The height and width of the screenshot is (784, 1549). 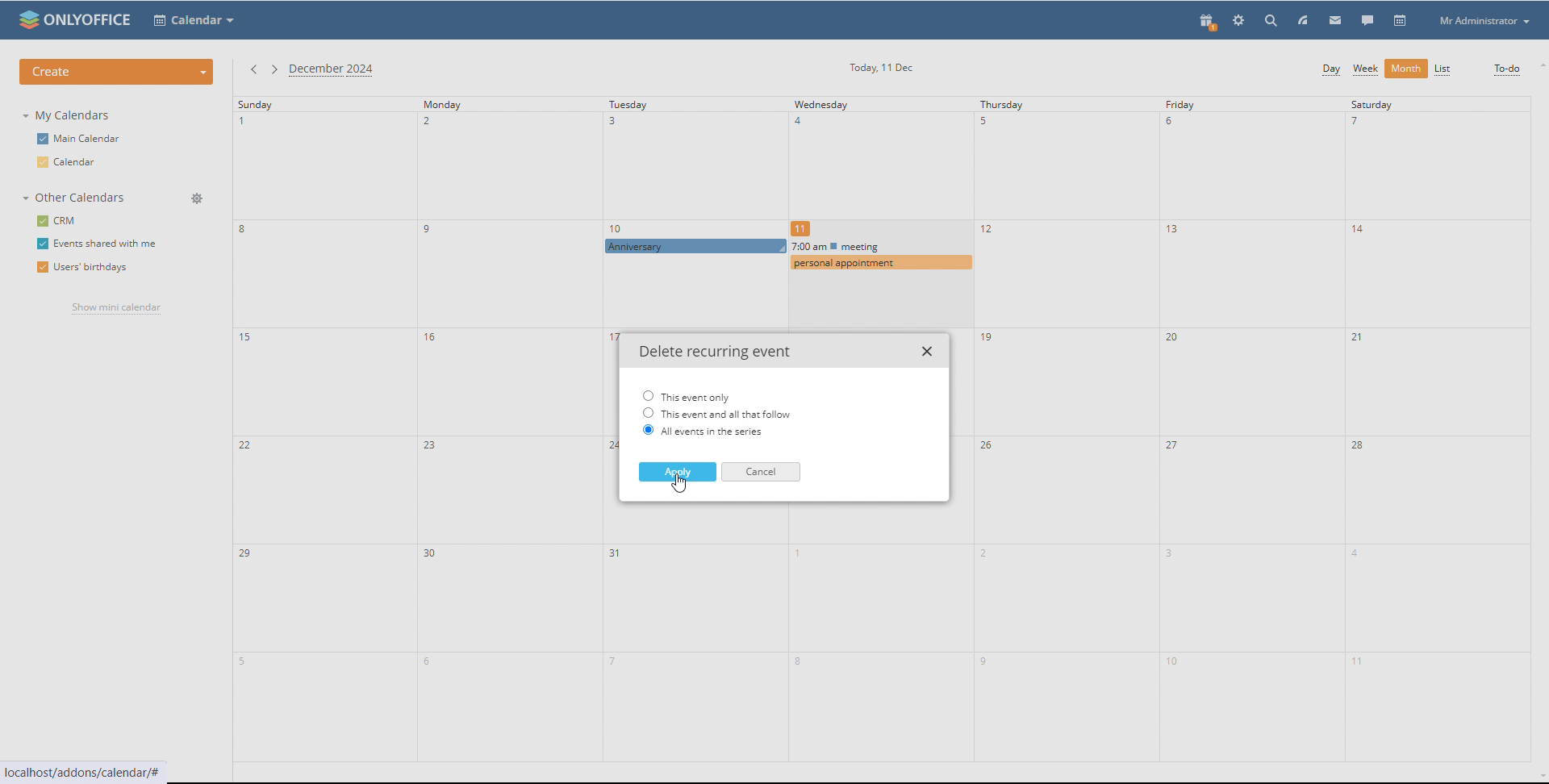 What do you see at coordinates (1443, 69) in the screenshot?
I see `list view` at bounding box center [1443, 69].